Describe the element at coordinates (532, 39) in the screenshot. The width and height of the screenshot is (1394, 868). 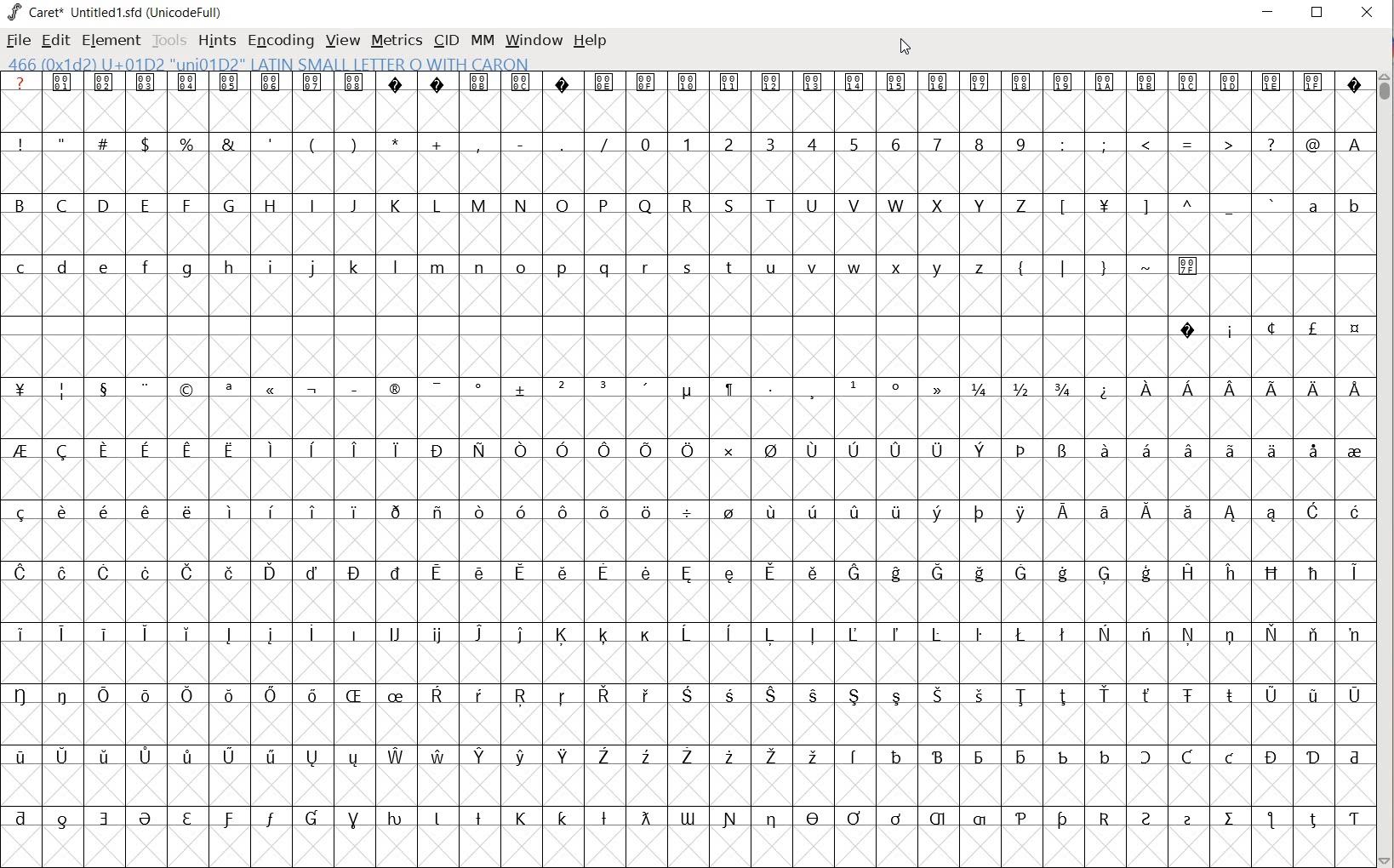
I see `WINDOW` at that location.